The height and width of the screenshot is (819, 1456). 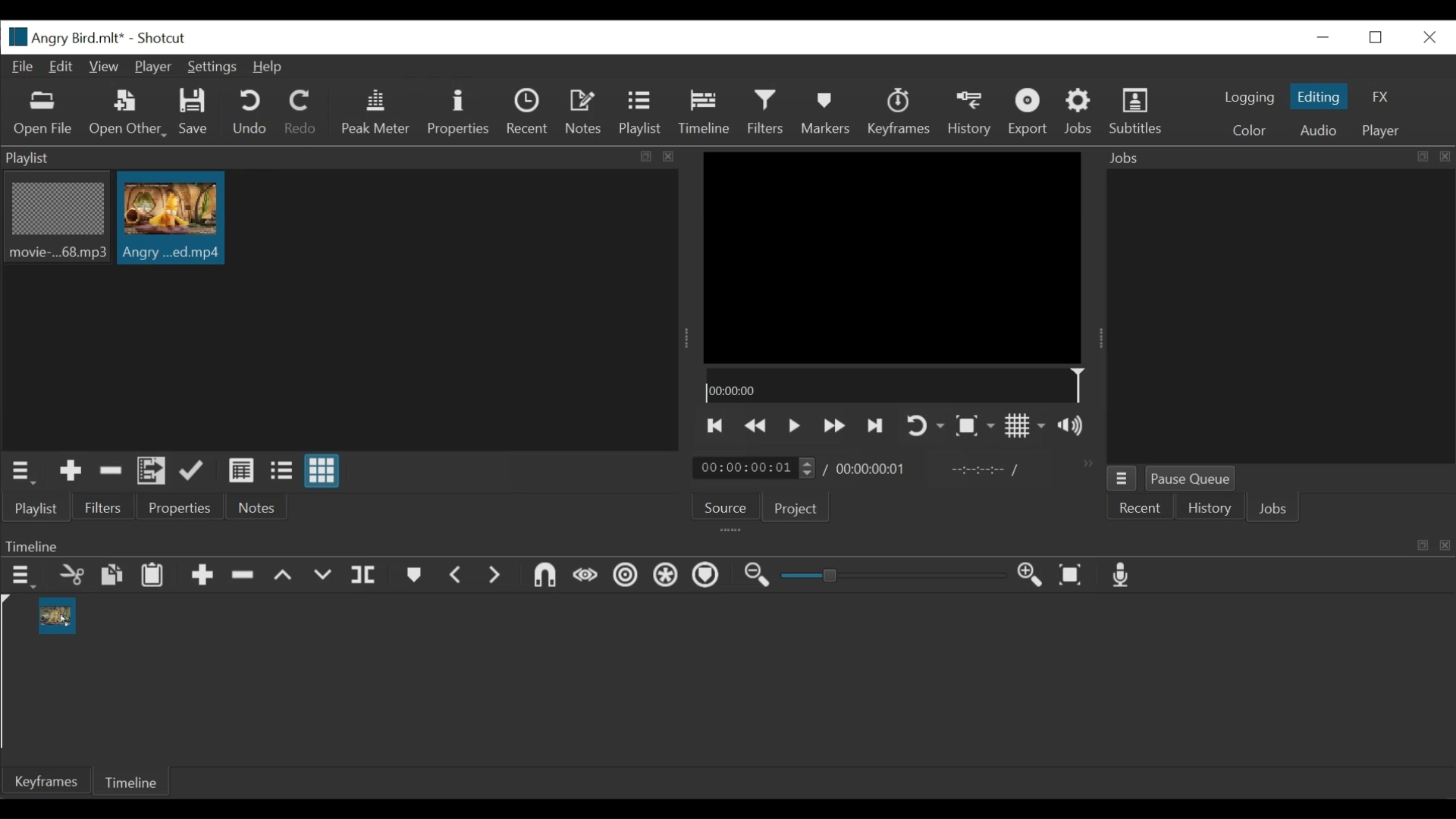 What do you see at coordinates (1081, 112) in the screenshot?
I see `Jobs` at bounding box center [1081, 112].